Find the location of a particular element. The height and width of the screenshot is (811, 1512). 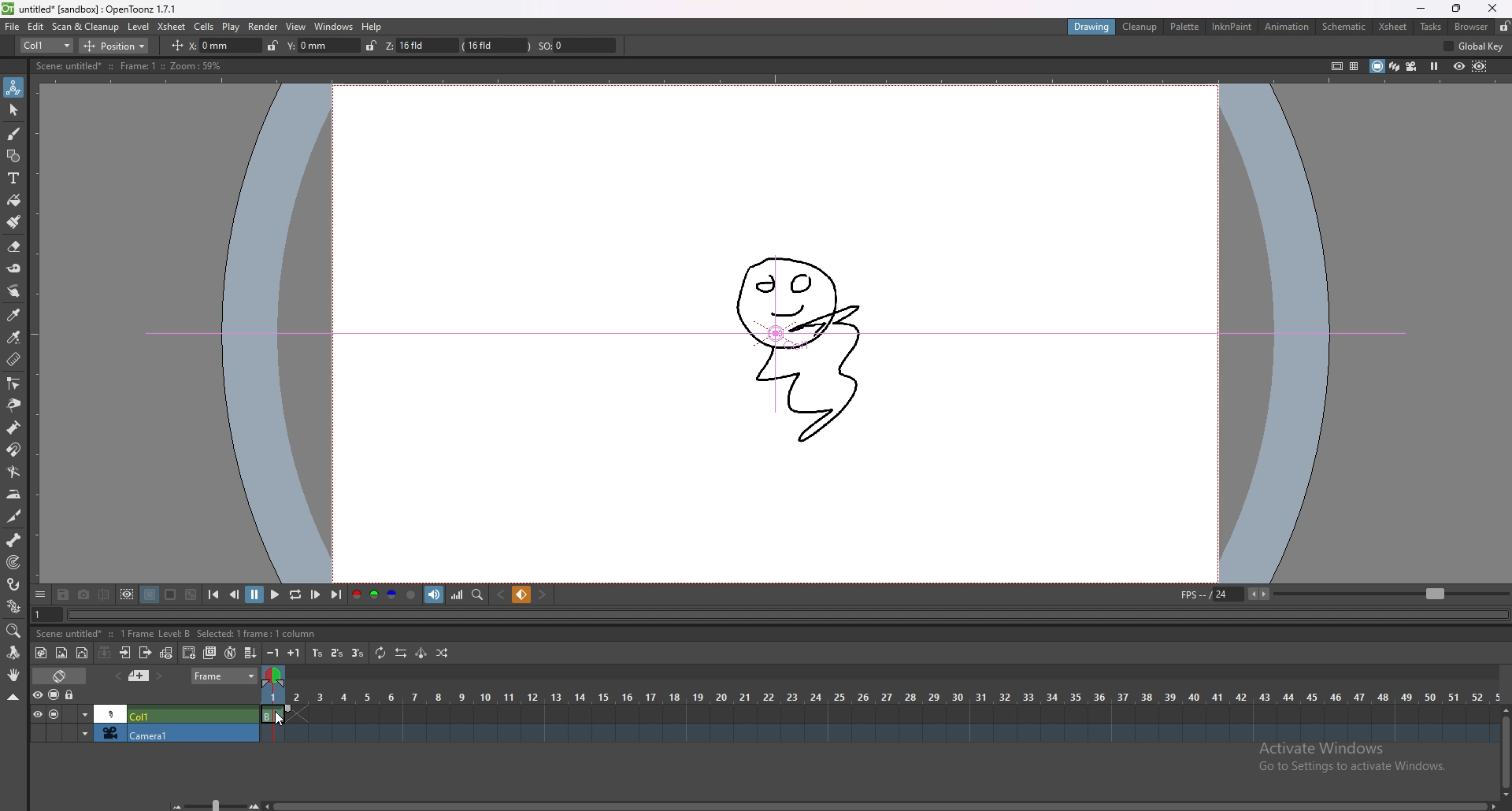

lock is located at coordinates (1503, 26).